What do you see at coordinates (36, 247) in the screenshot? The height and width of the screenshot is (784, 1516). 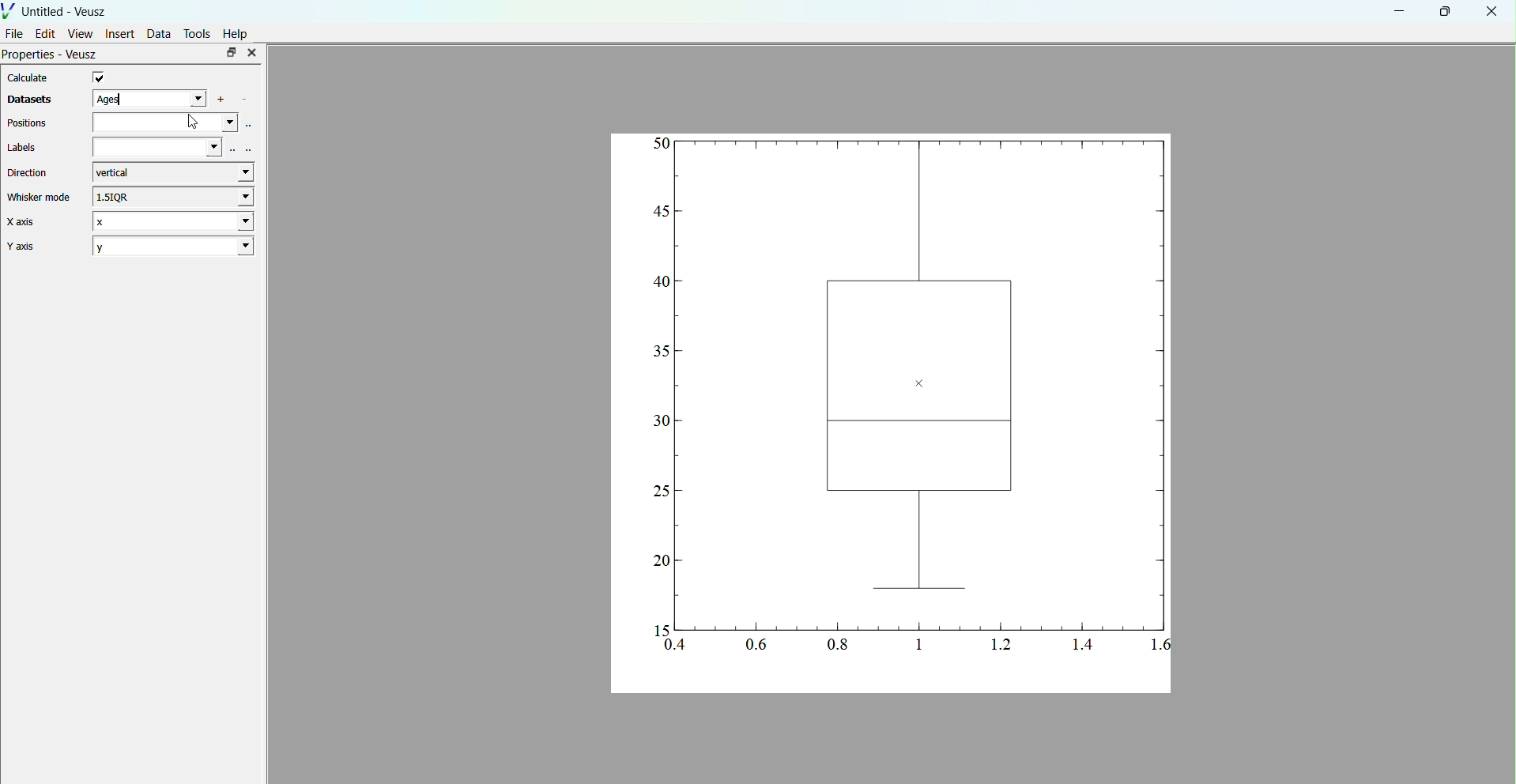 I see `Y axis` at bounding box center [36, 247].